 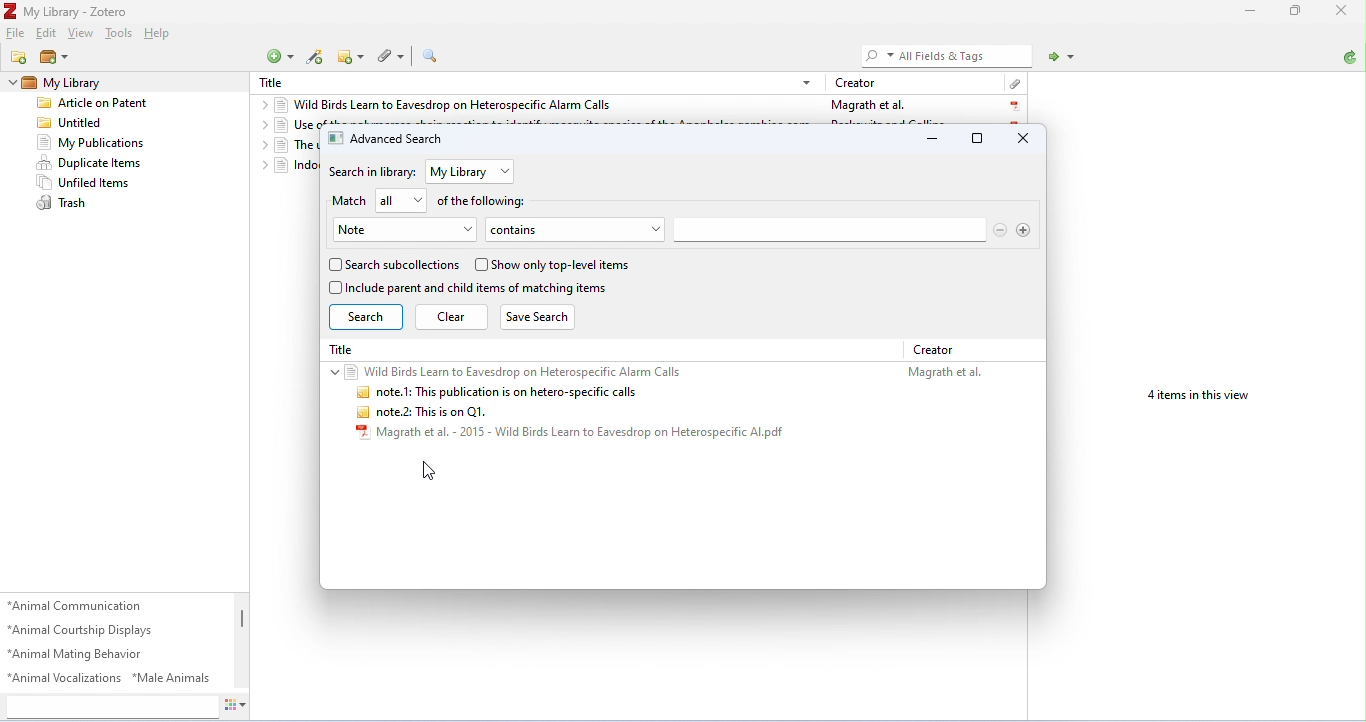 What do you see at coordinates (1249, 13) in the screenshot?
I see `minimize` at bounding box center [1249, 13].